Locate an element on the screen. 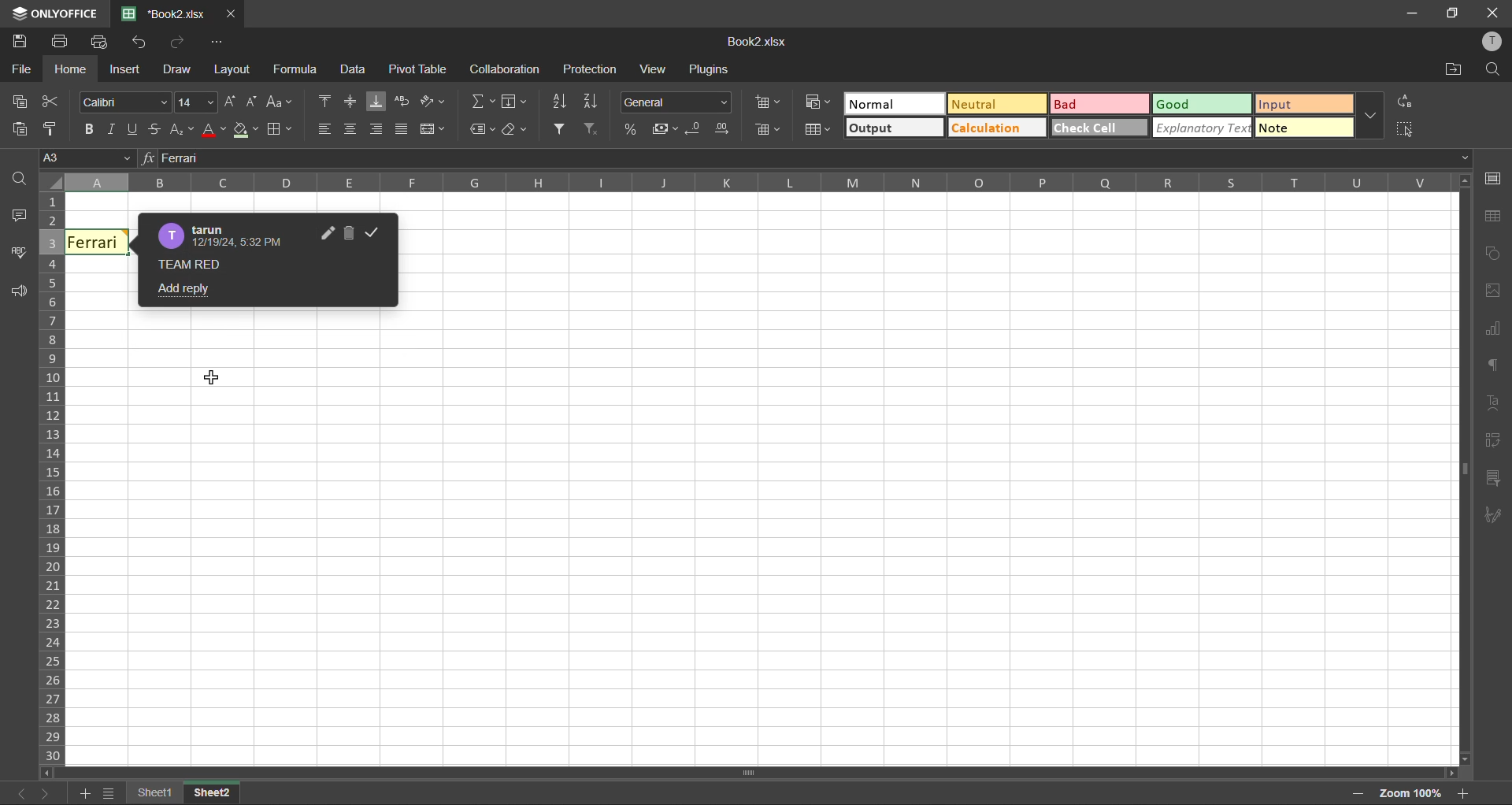  wrap text is located at coordinates (401, 98).